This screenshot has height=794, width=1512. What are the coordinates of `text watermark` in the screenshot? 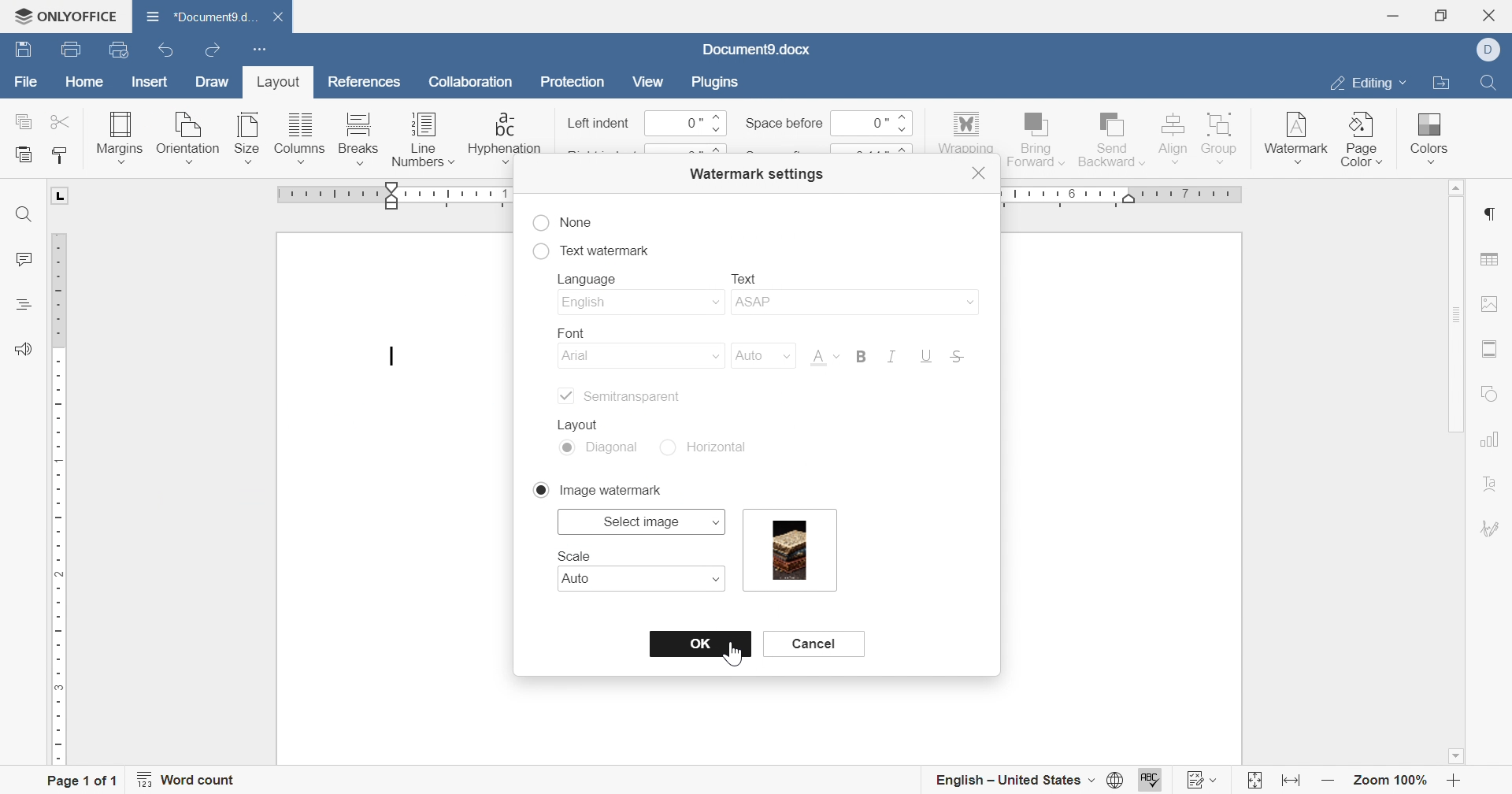 It's located at (591, 248).